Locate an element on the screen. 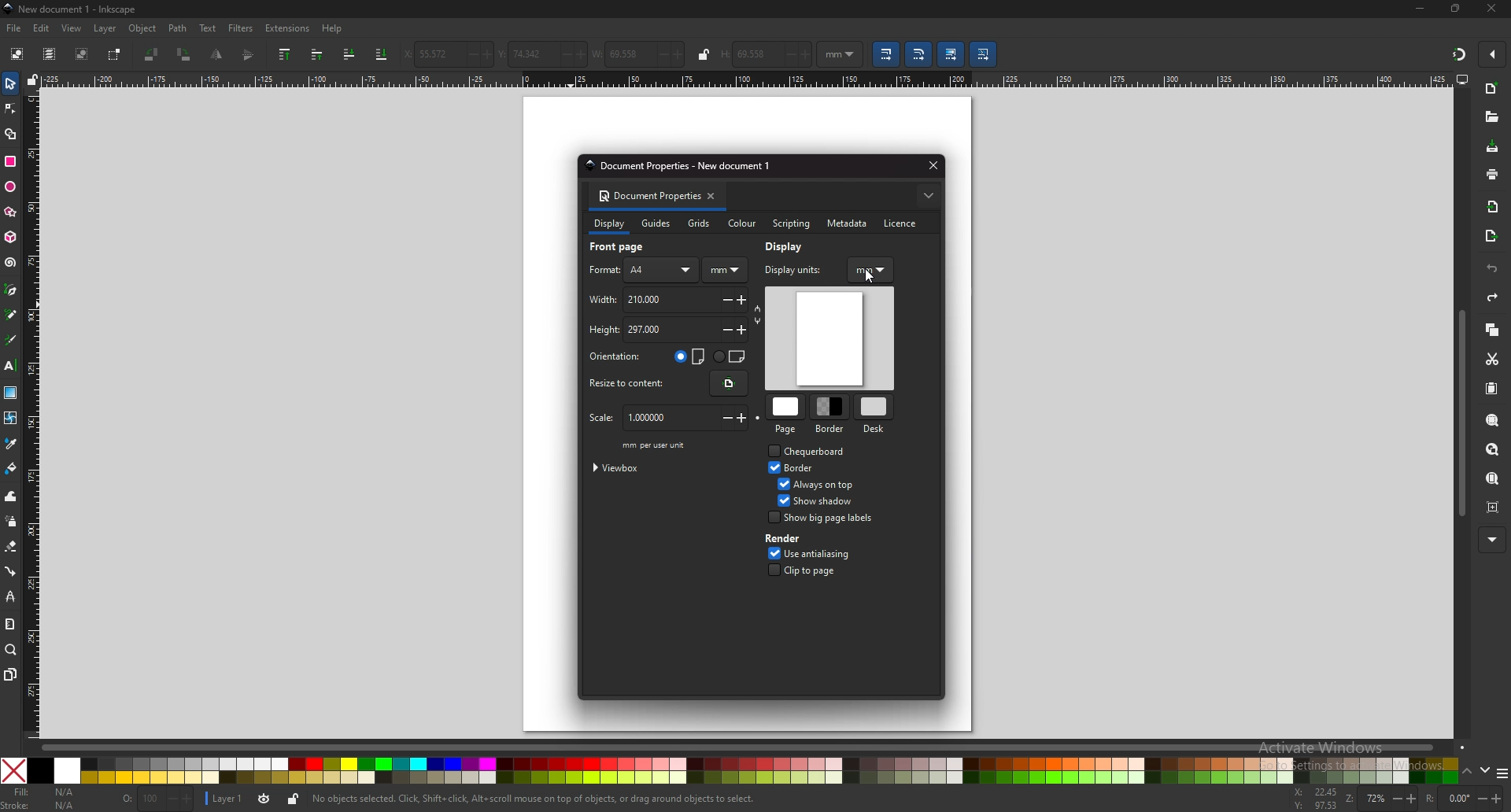  No objects selected. Click, Shift+ click, Alt scroll mouse on top of objects, or drag around objects to select, is located at coordinates (549, 799).